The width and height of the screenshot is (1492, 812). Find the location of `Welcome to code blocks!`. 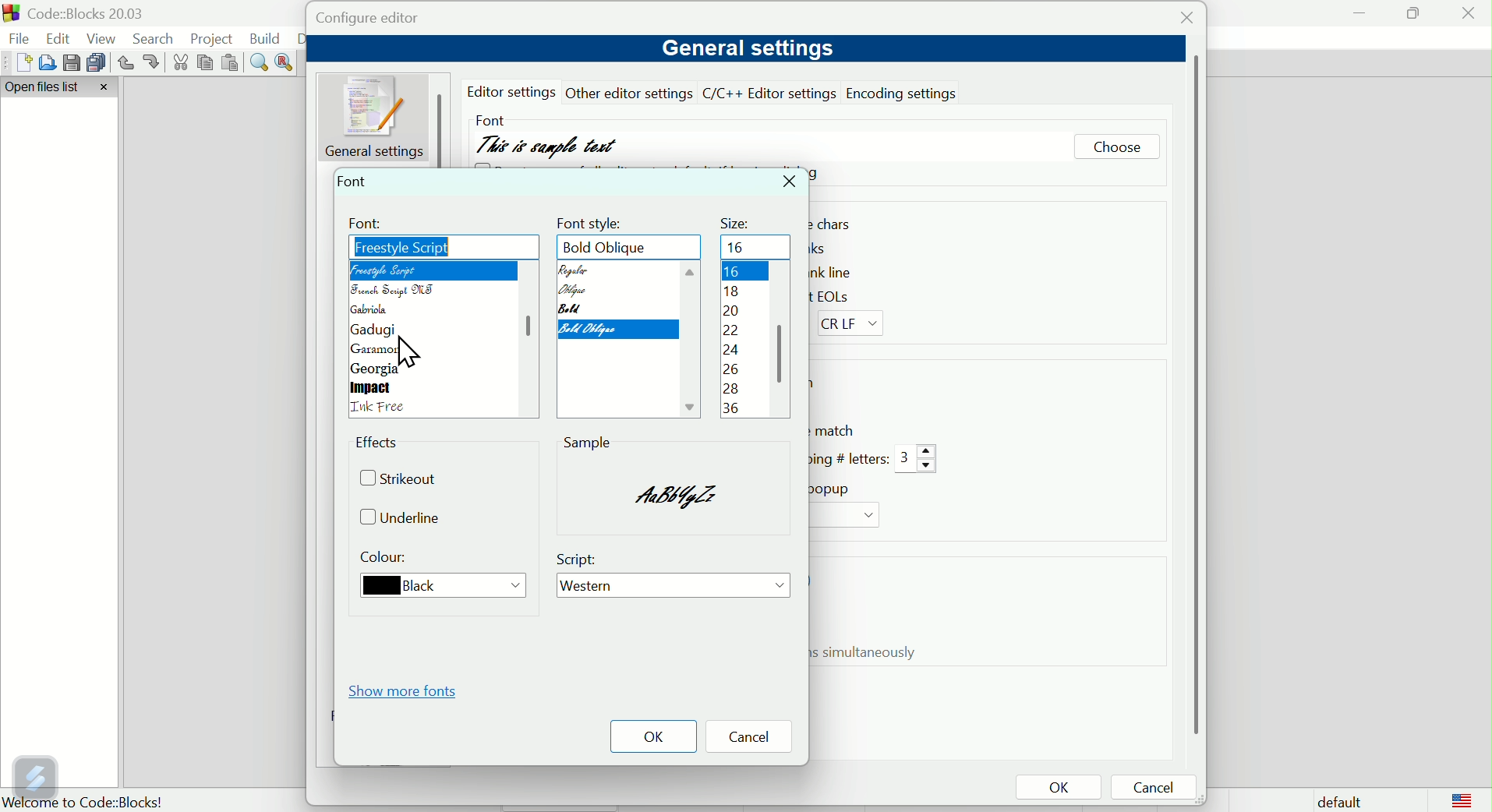

Welcome to code blocks! is located at coordinates (96, 800).